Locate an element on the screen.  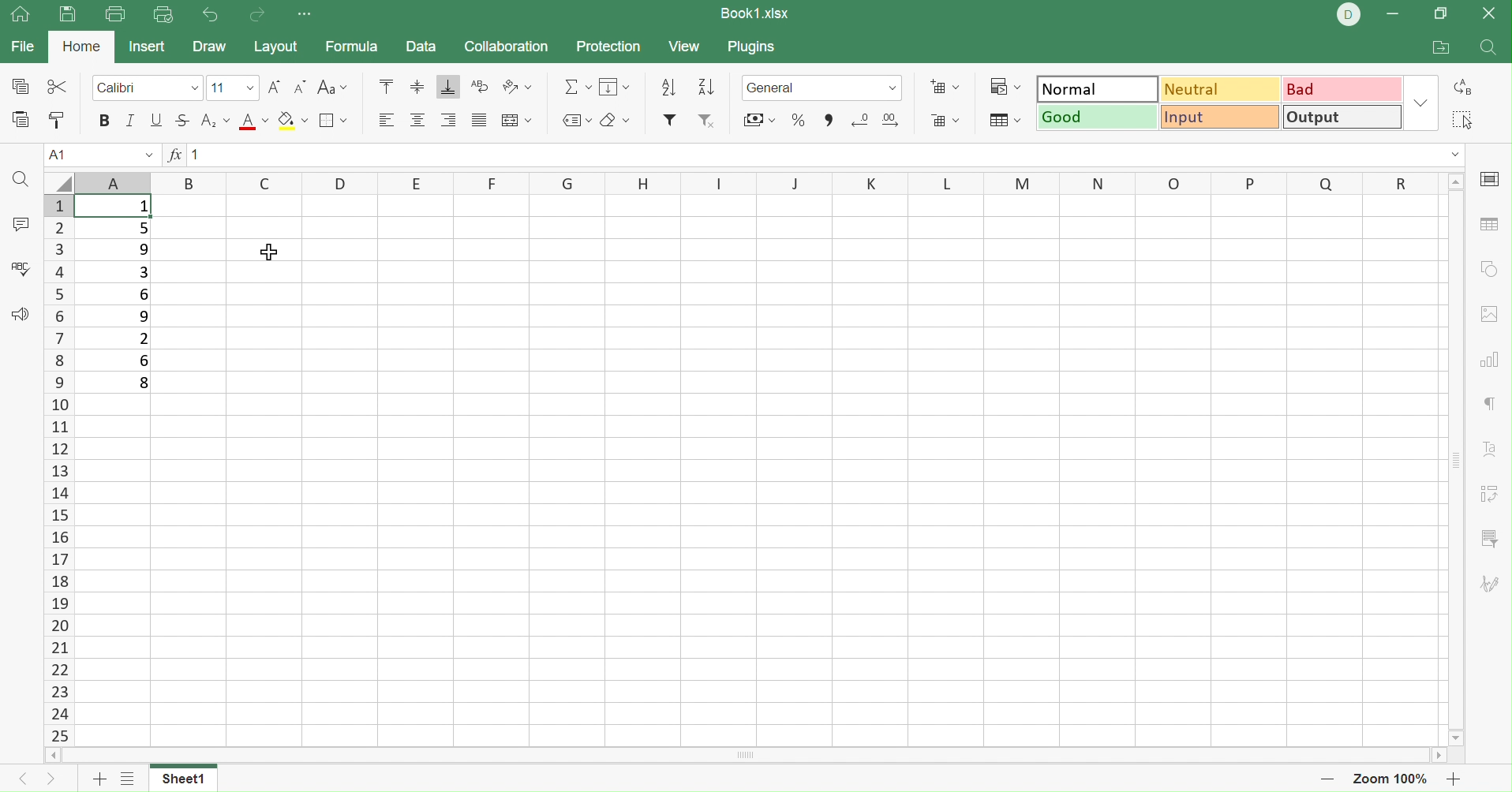
Zoom out is located at coordinates (1327, 780).